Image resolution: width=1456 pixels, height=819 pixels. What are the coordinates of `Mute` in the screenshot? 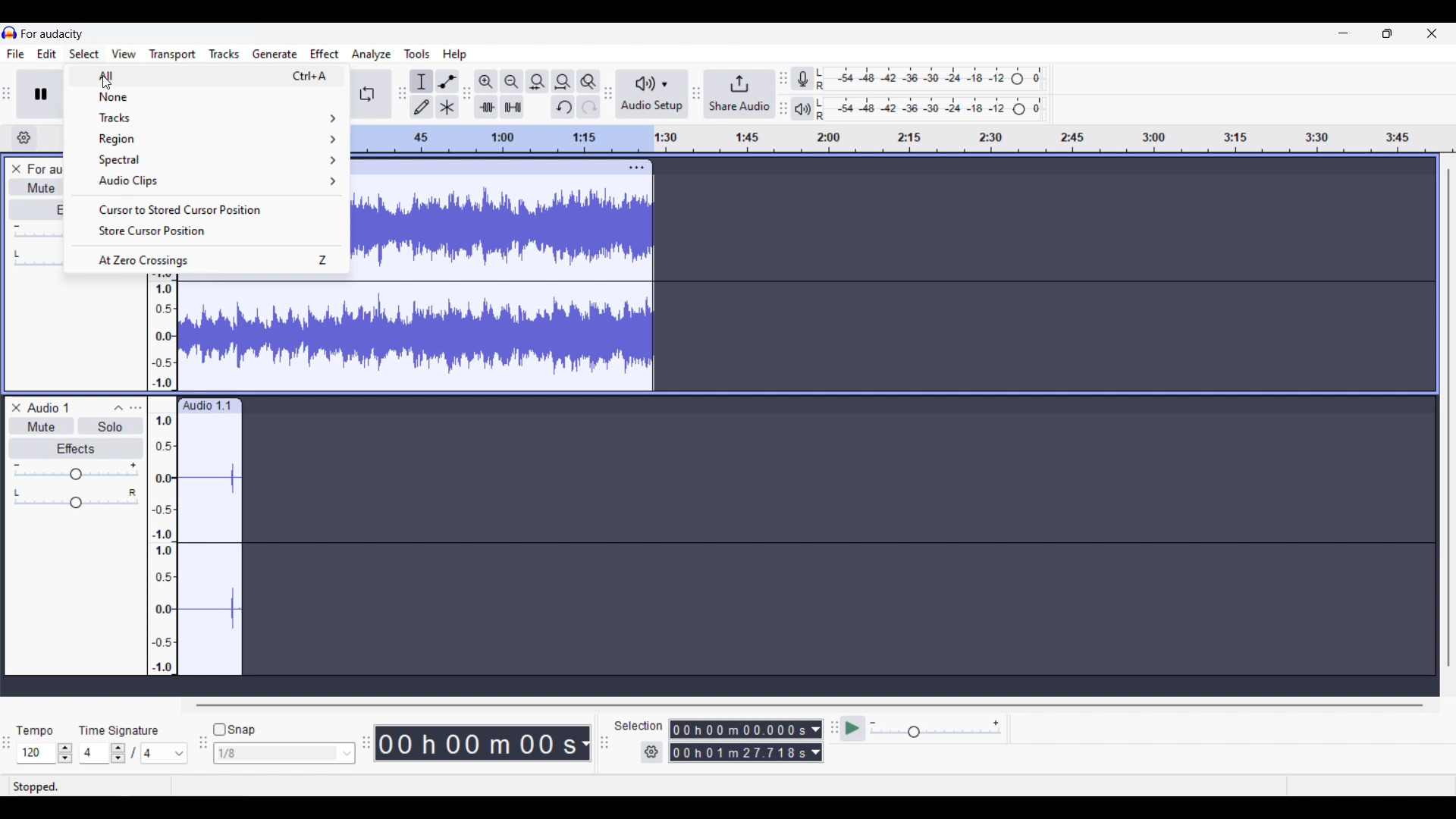 It's located at (35, 188).